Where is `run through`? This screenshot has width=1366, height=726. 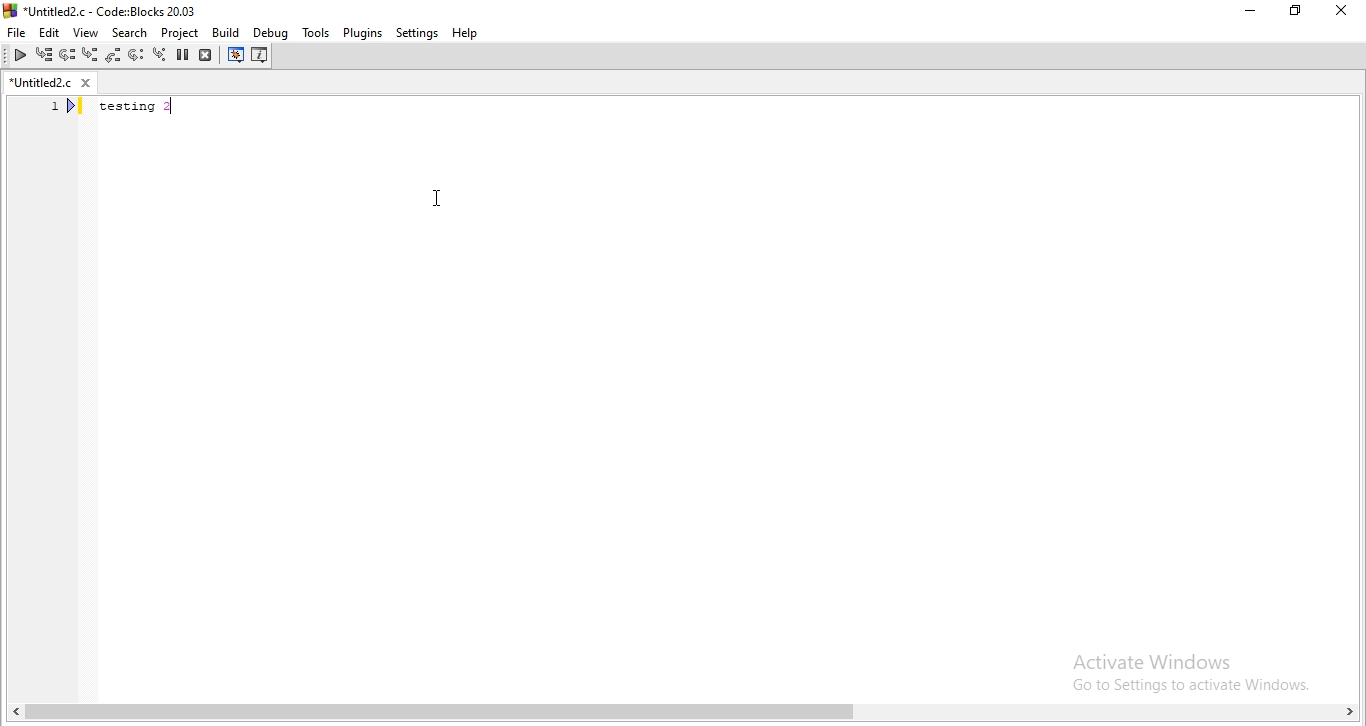
run through is located at coordinates (159, 56).